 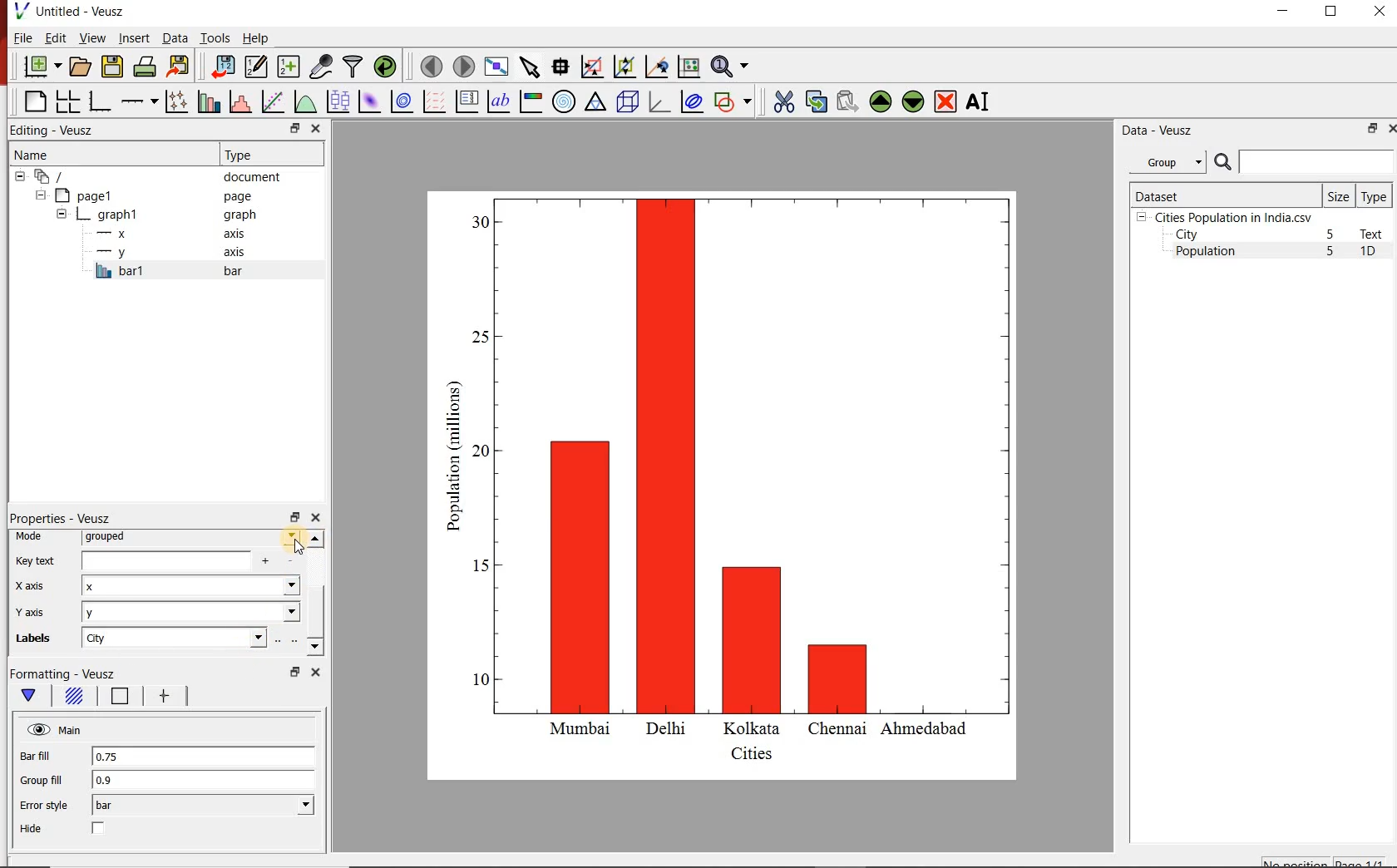 What do you see at coordinates (743, 481) in the screenshot?
I see `graph1` at bounding box center [743, 481].